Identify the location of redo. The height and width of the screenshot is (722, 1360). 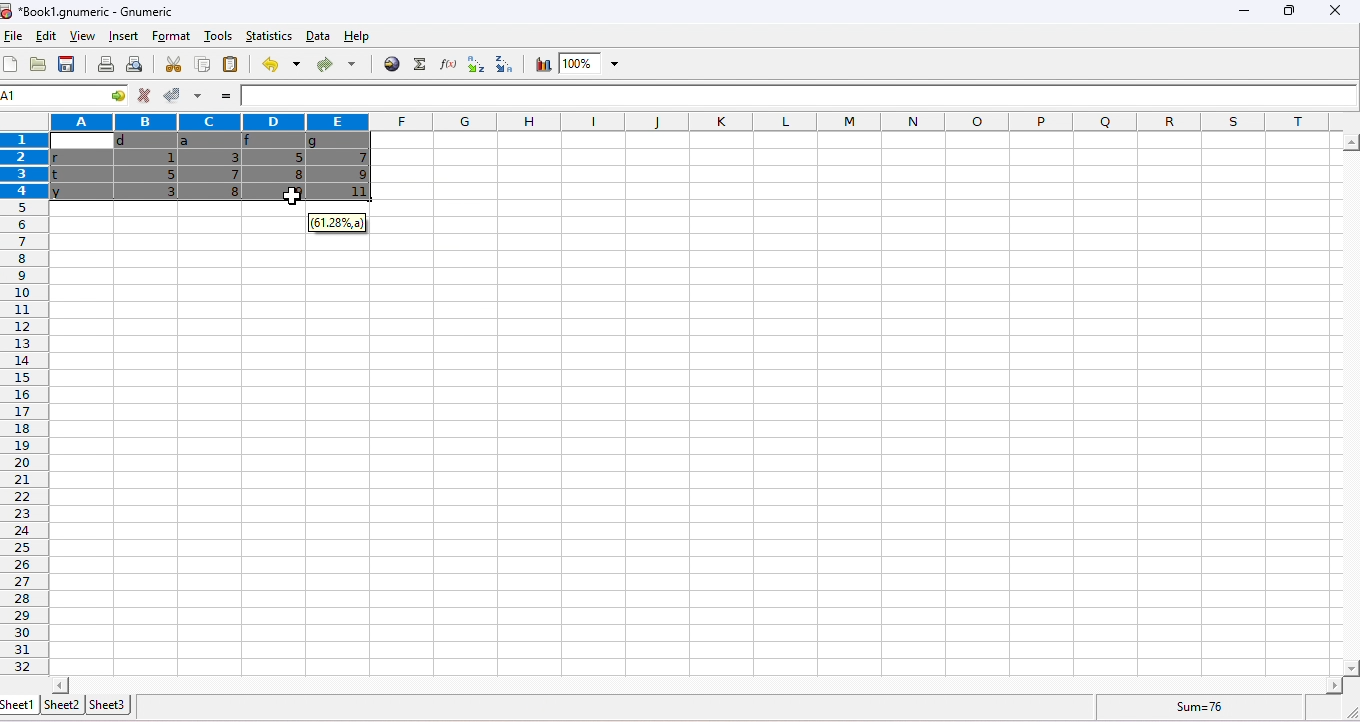
(335, 66).